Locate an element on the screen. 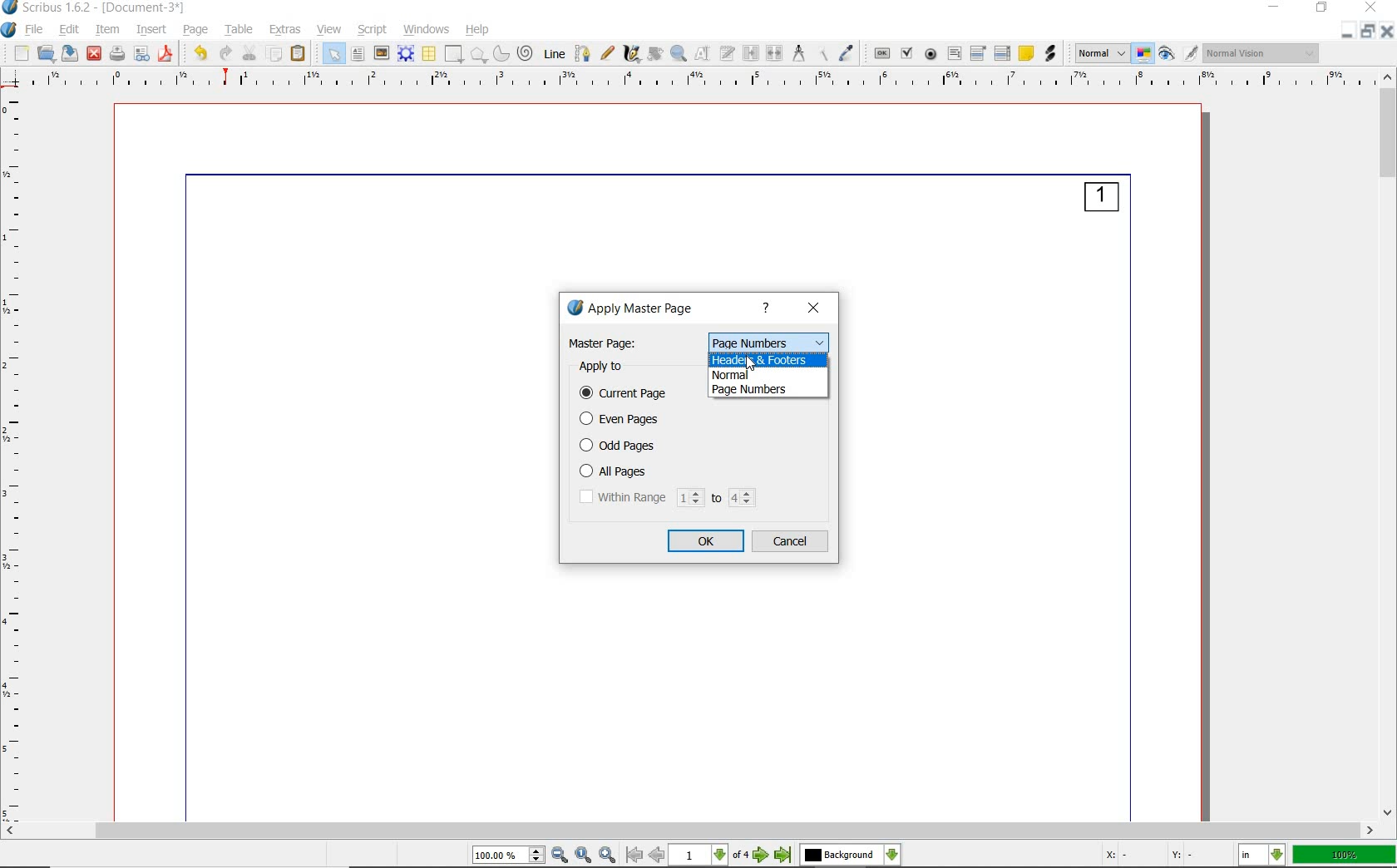 The height and width of the screenshot is (868, 1397). copy is located at coordinates (275, 54).